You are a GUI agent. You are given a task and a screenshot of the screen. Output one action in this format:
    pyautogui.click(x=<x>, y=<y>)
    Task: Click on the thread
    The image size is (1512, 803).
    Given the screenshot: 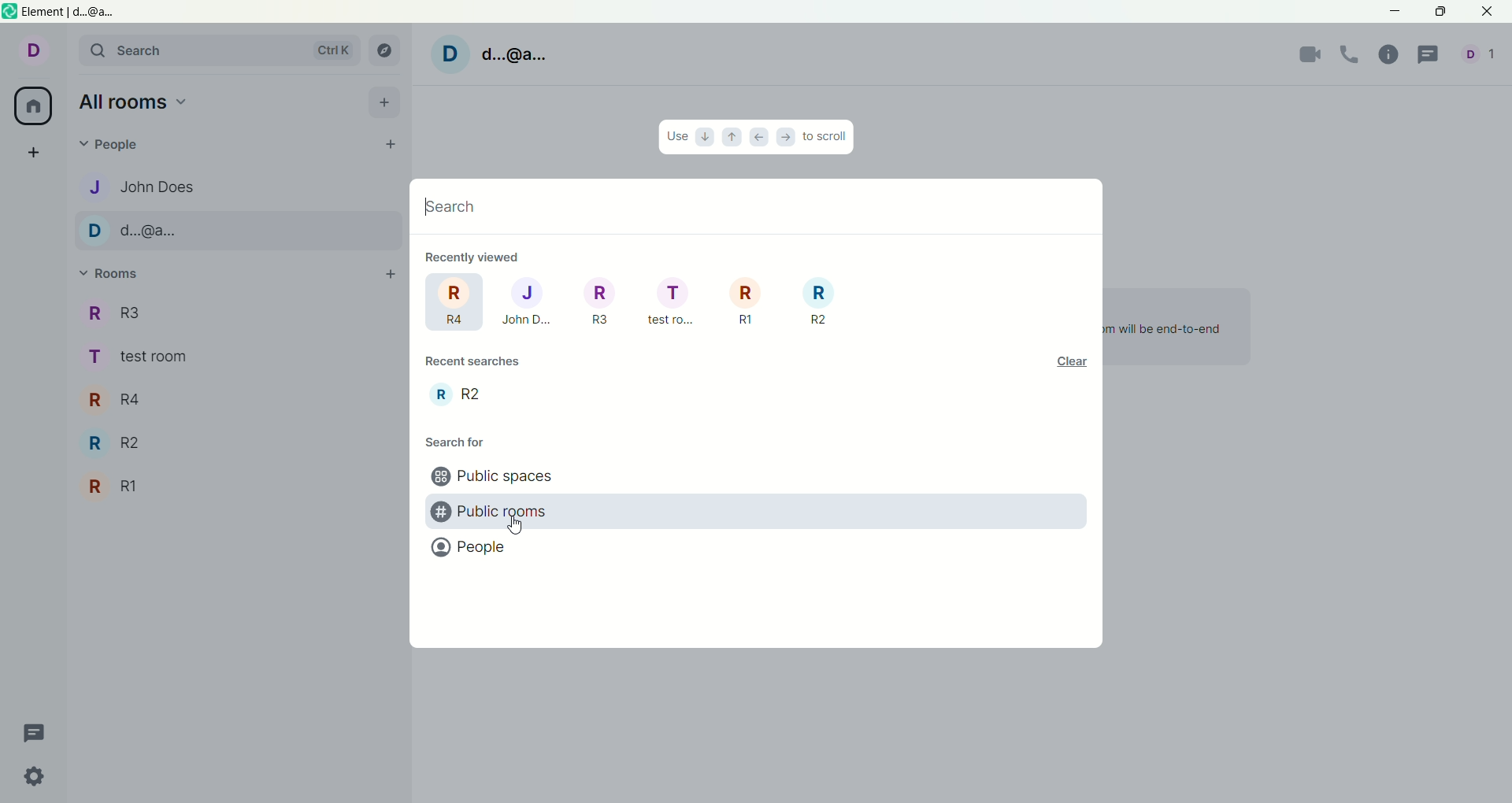 What is the action you would take?
    pyautogui.click(x=1434, y=54)
    